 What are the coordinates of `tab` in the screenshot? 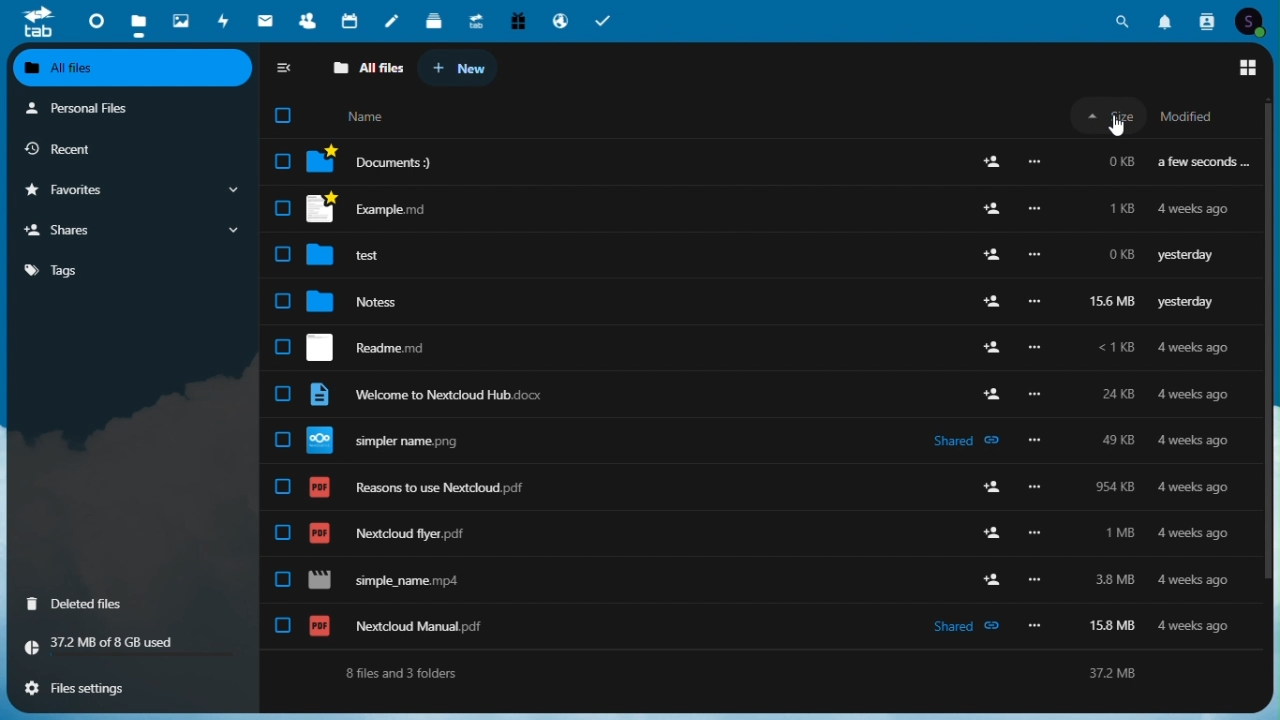 It's located at (34, 22).